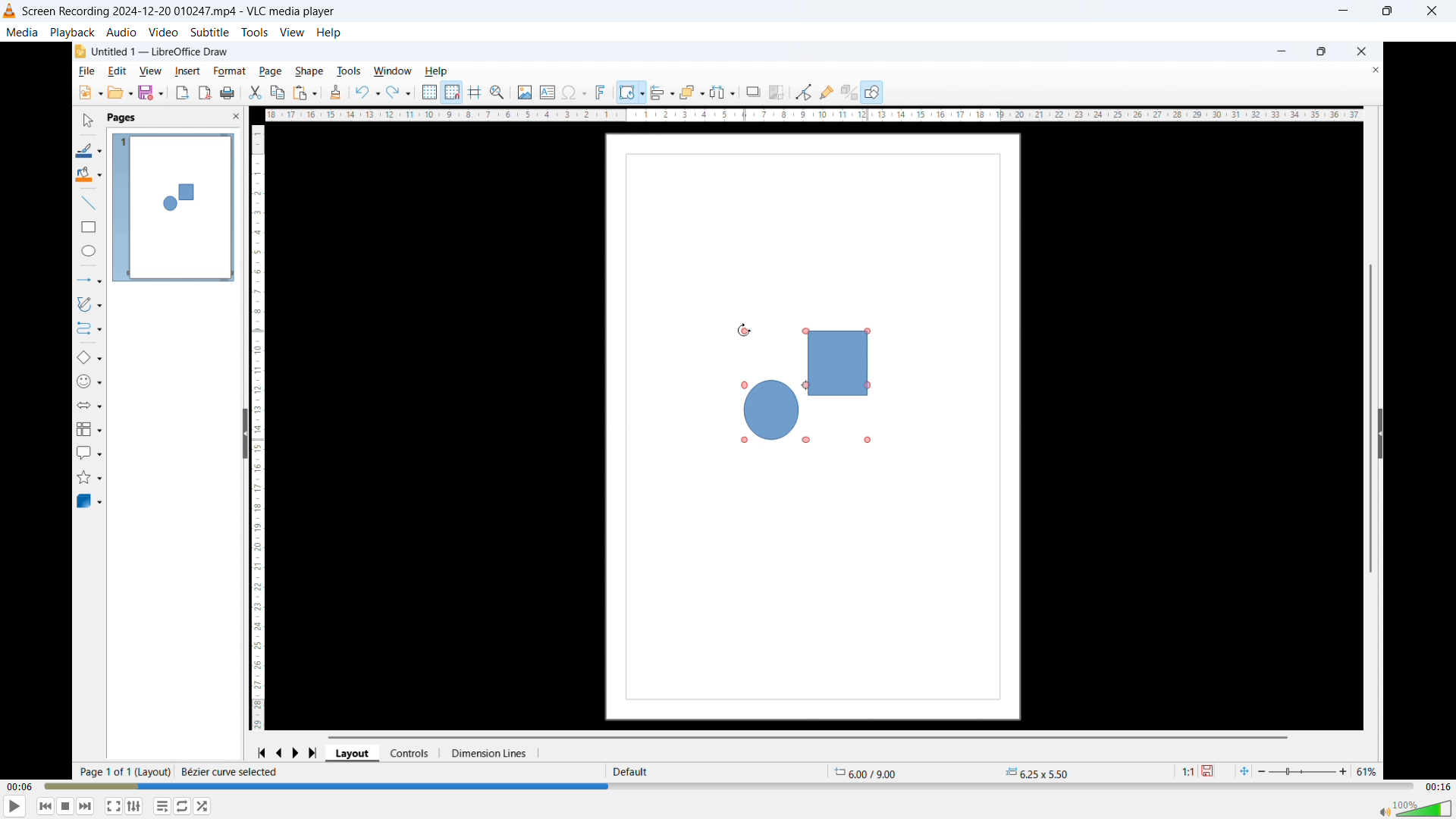 This screenshot has height=819, width=1456. Describe the element at coordinates (183, 806) in the screenshot. I see `Show advanced settings ` at that location.